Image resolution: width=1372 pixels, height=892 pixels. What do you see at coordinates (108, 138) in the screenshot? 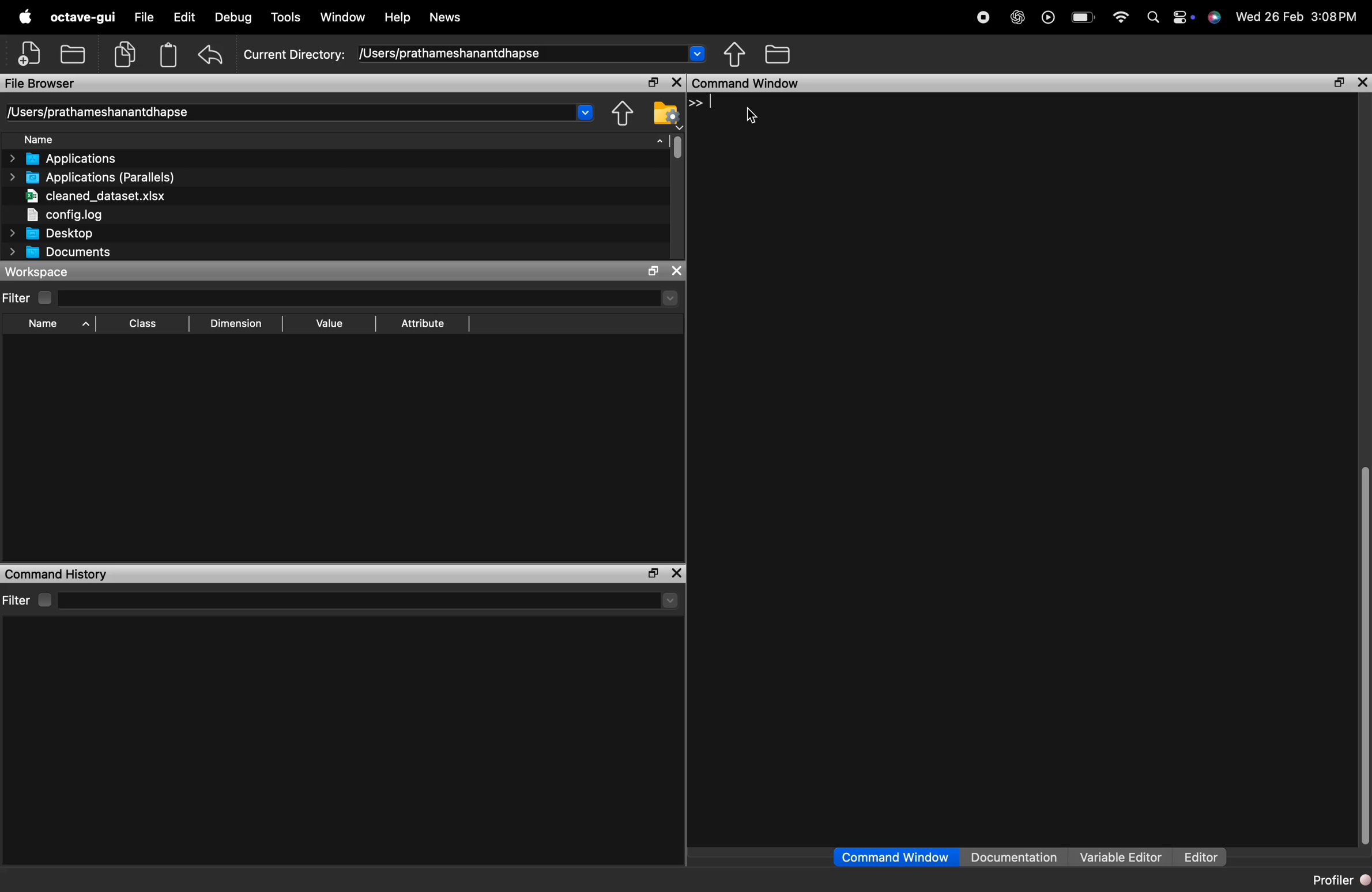
I see `Name` at bounding box center [108, 138].